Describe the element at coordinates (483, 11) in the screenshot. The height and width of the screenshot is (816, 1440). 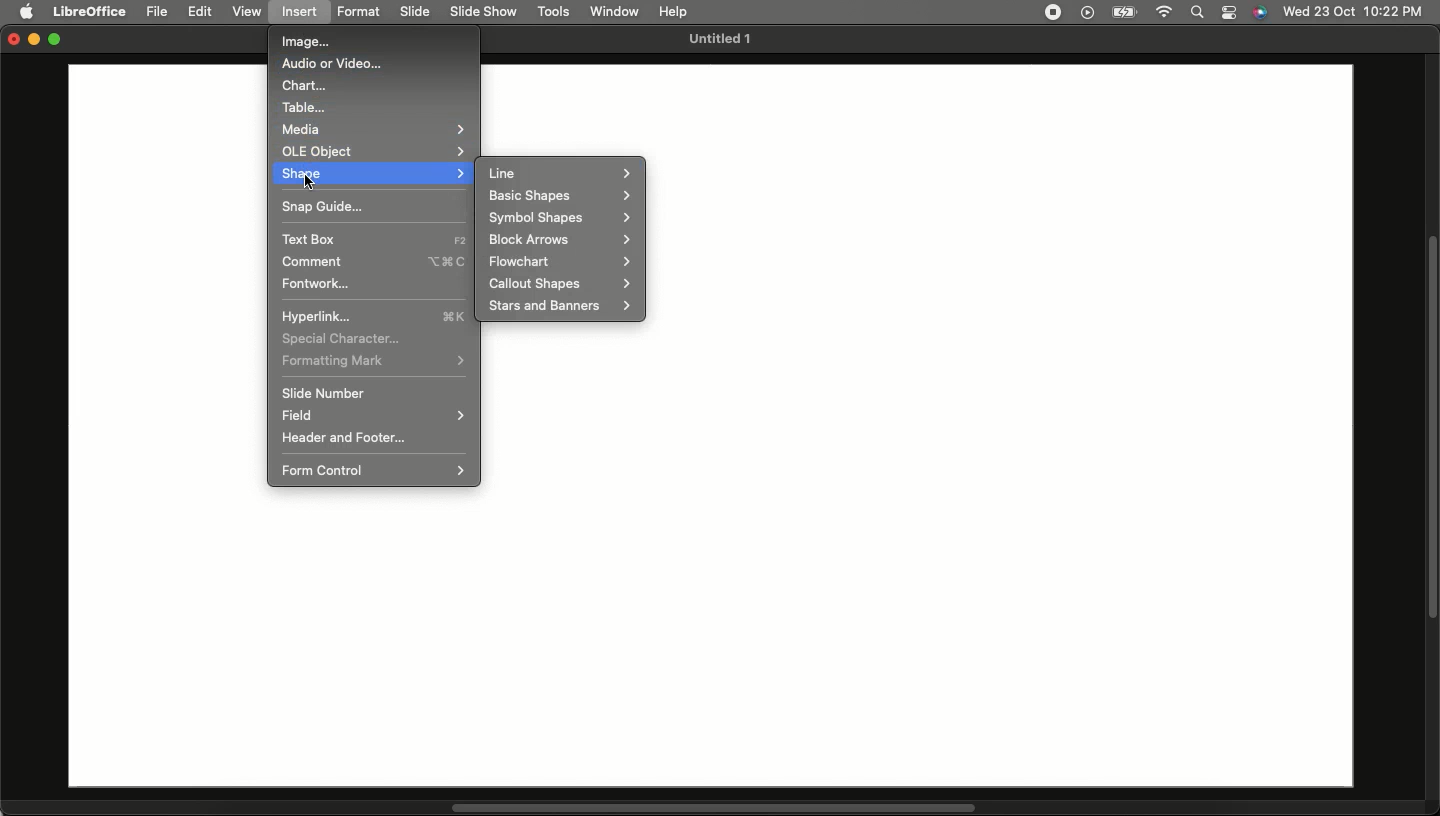
I see `Slide show` at that location.